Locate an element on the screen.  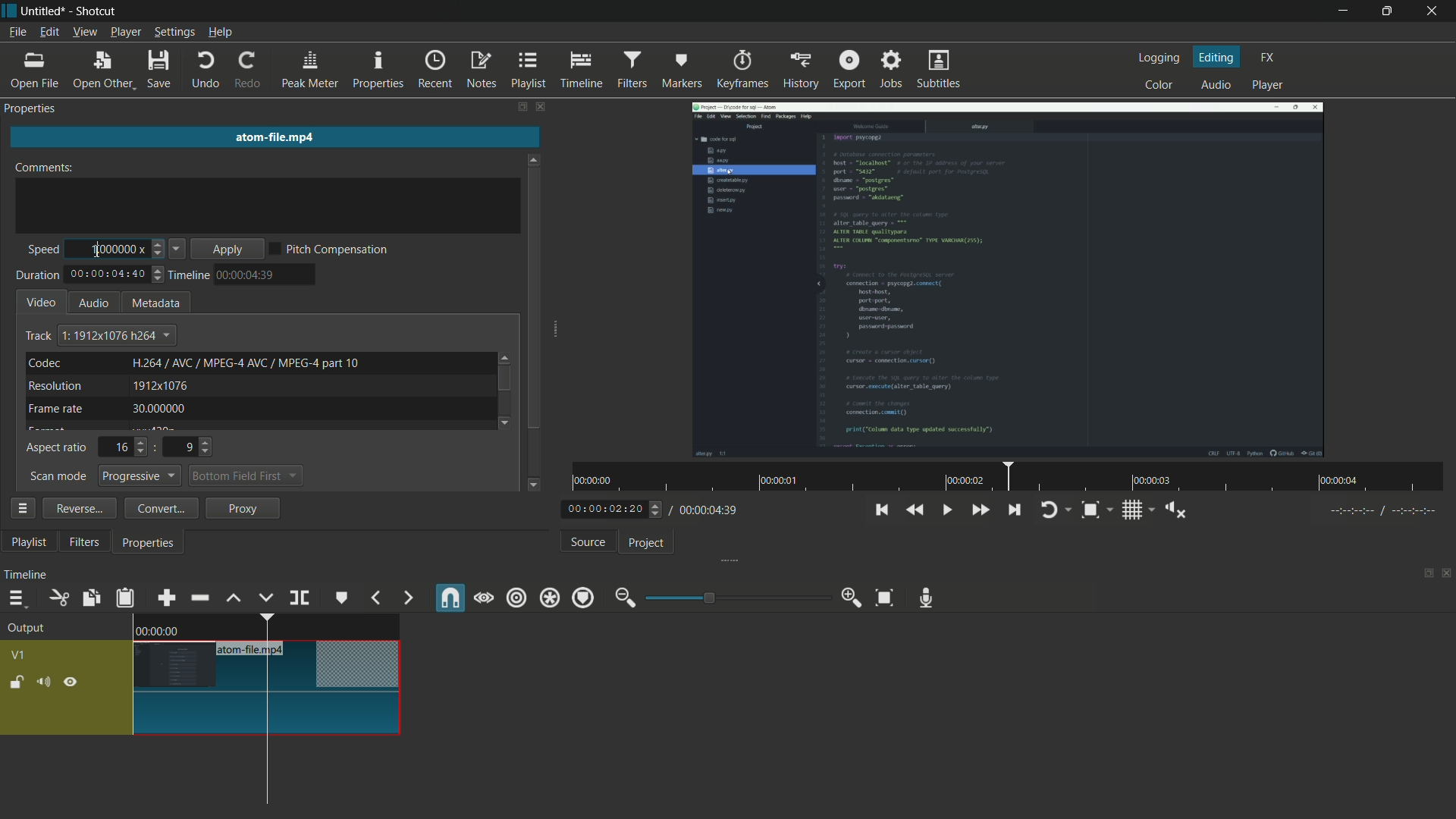
skip to the previous point is located at coordinates (880, 510).